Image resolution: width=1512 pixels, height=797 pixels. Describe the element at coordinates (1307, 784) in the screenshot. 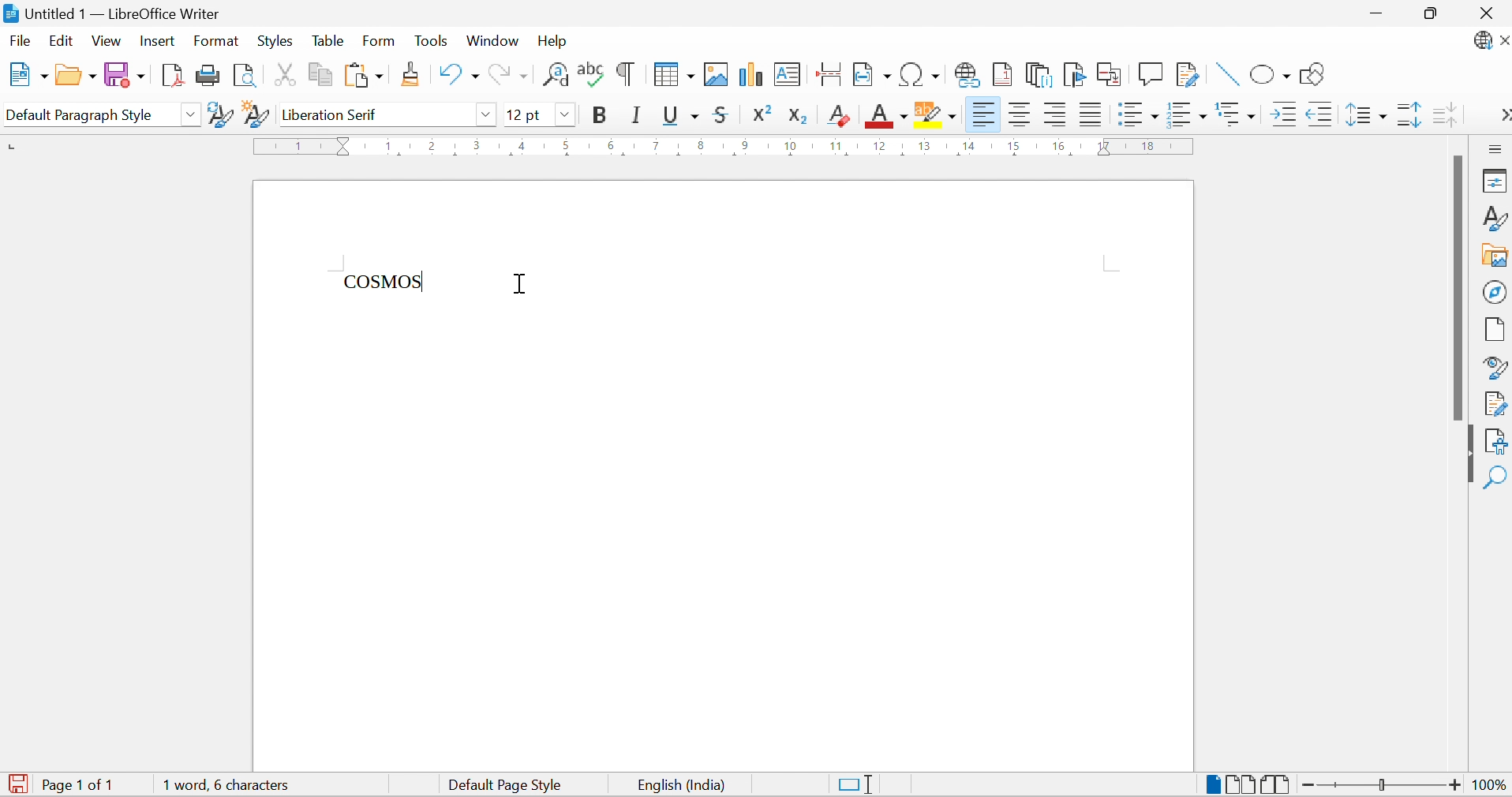

I see `Zoom Out` at that location.